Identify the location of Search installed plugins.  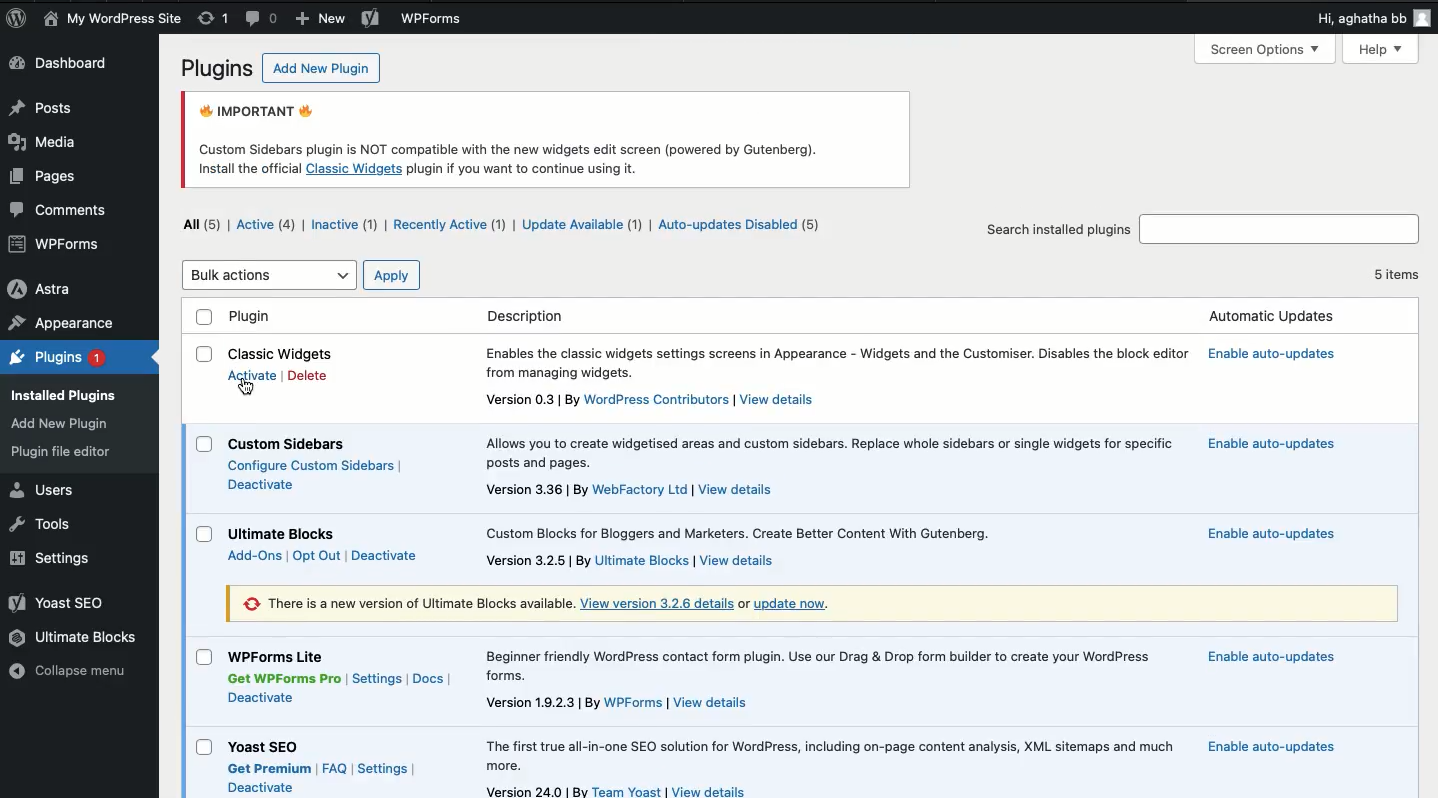
(1058, 229).